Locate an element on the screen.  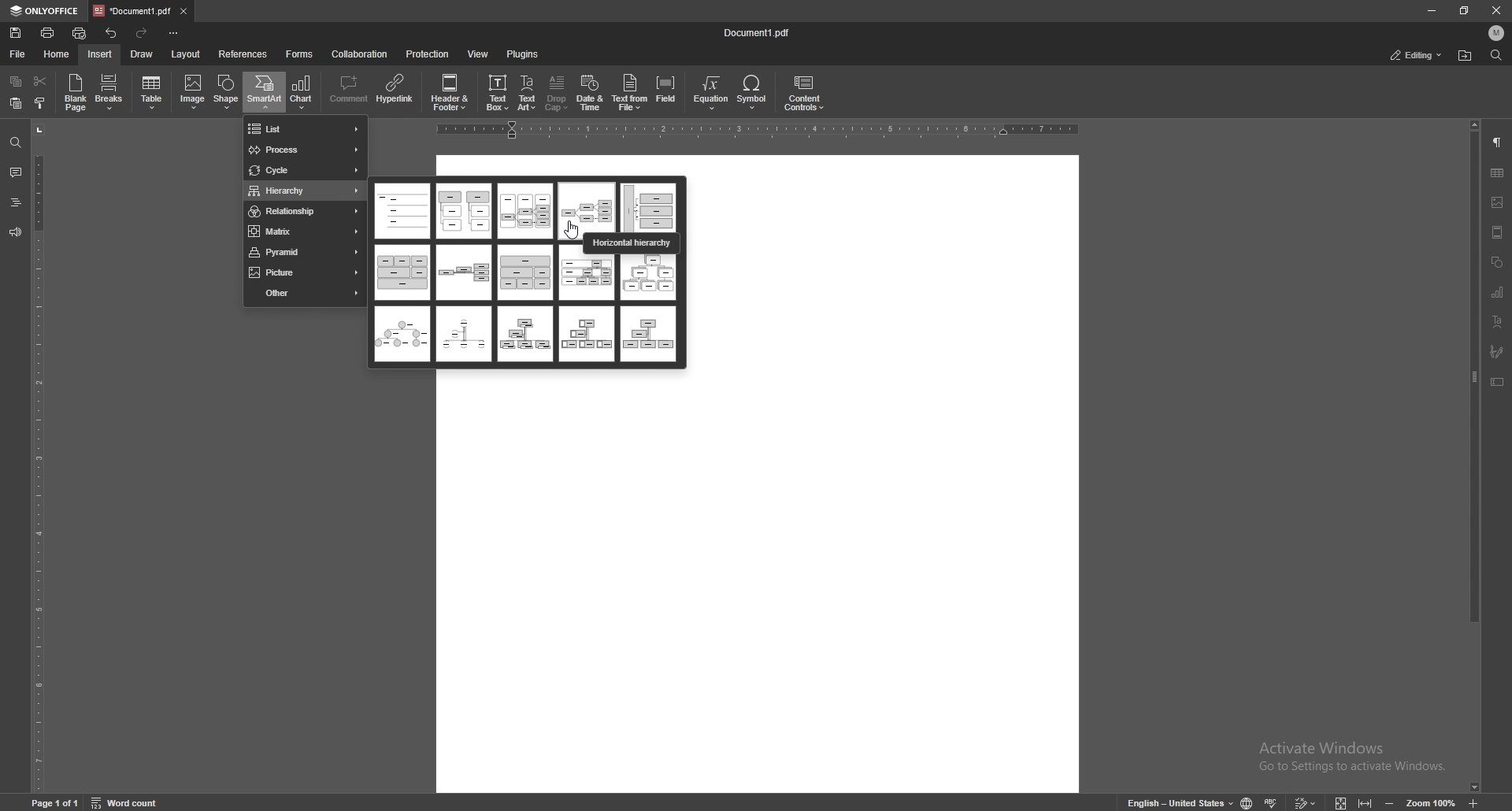
profile is located at coordinates (1497, 33).